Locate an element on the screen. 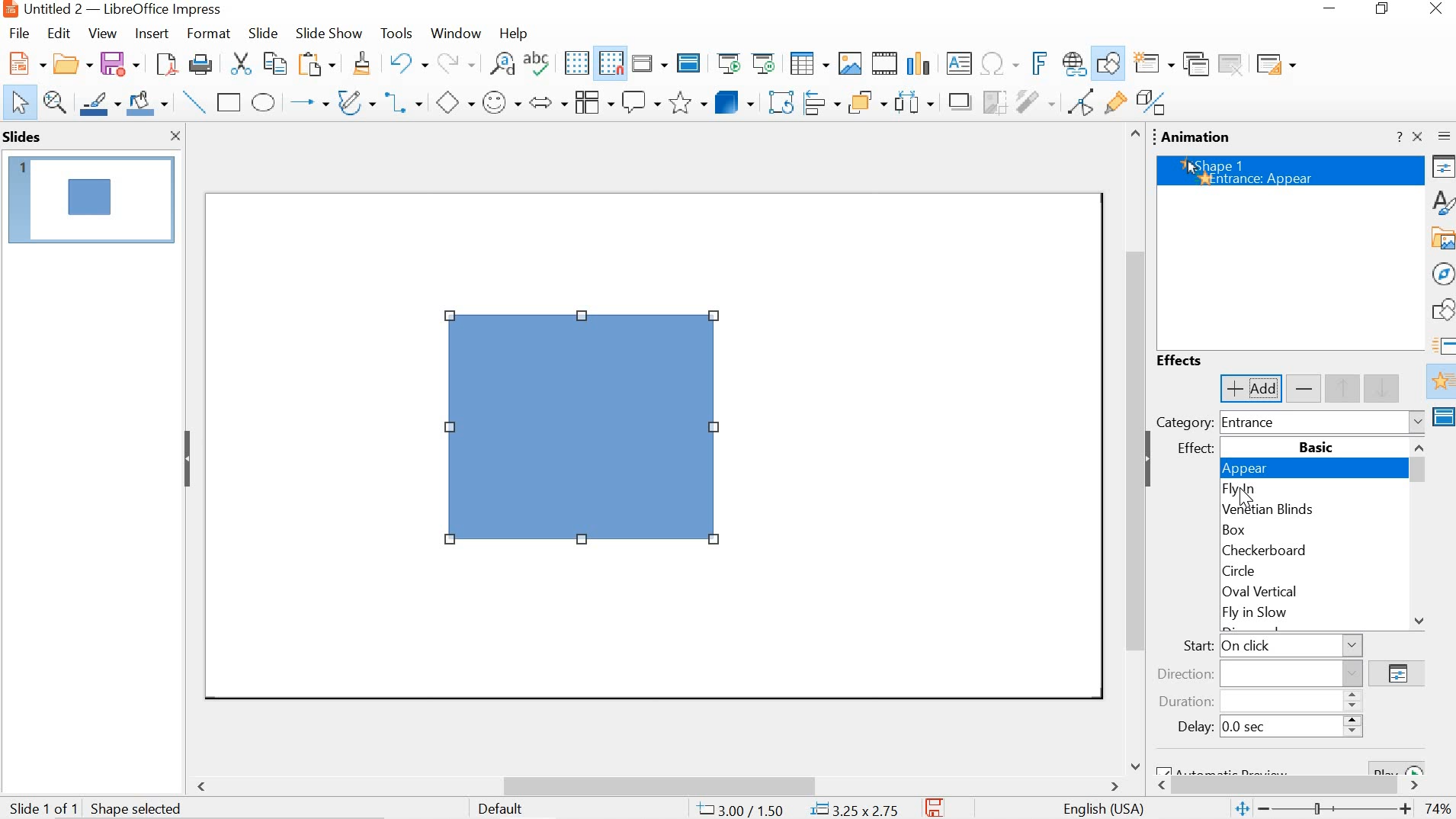 Image resolution: width=1456 pixels, height=819 pixels. stars and banners is located at coordinates (685, 104).